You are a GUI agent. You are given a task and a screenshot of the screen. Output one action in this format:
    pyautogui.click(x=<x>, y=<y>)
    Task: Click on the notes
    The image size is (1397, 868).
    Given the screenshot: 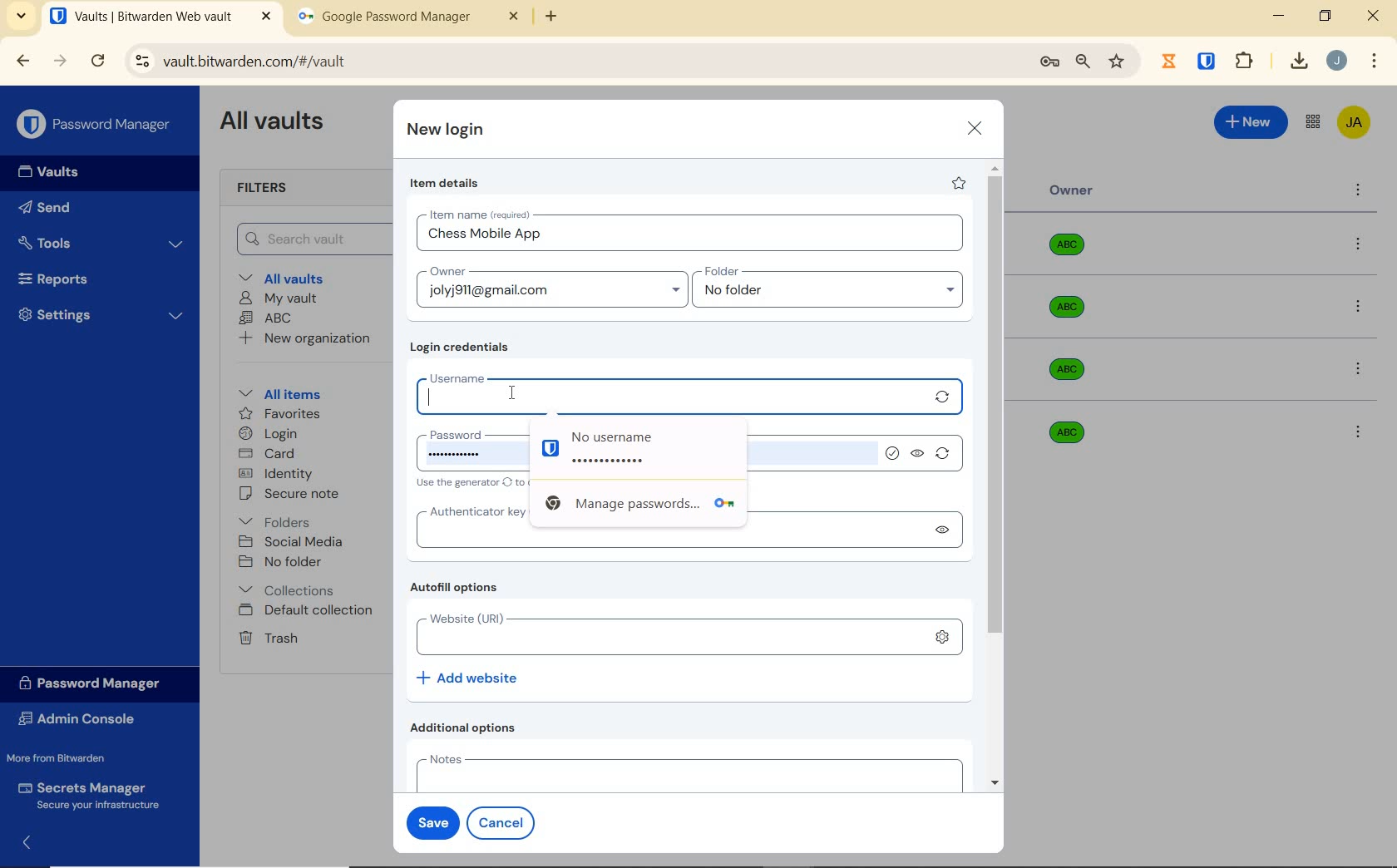 What is the action you would take?
    pyautogui.click(x=685, y=772)
    